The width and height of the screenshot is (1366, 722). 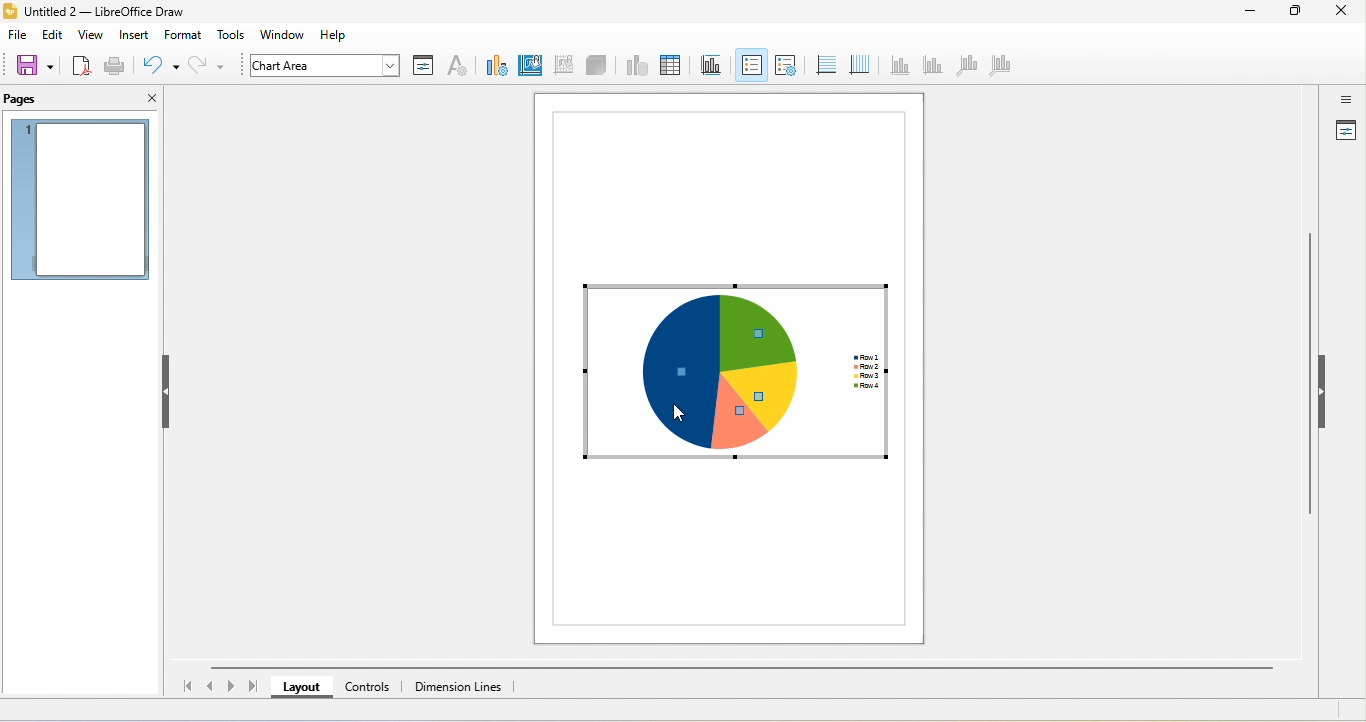 I want to click on all axes, so click(x=999, y=68).